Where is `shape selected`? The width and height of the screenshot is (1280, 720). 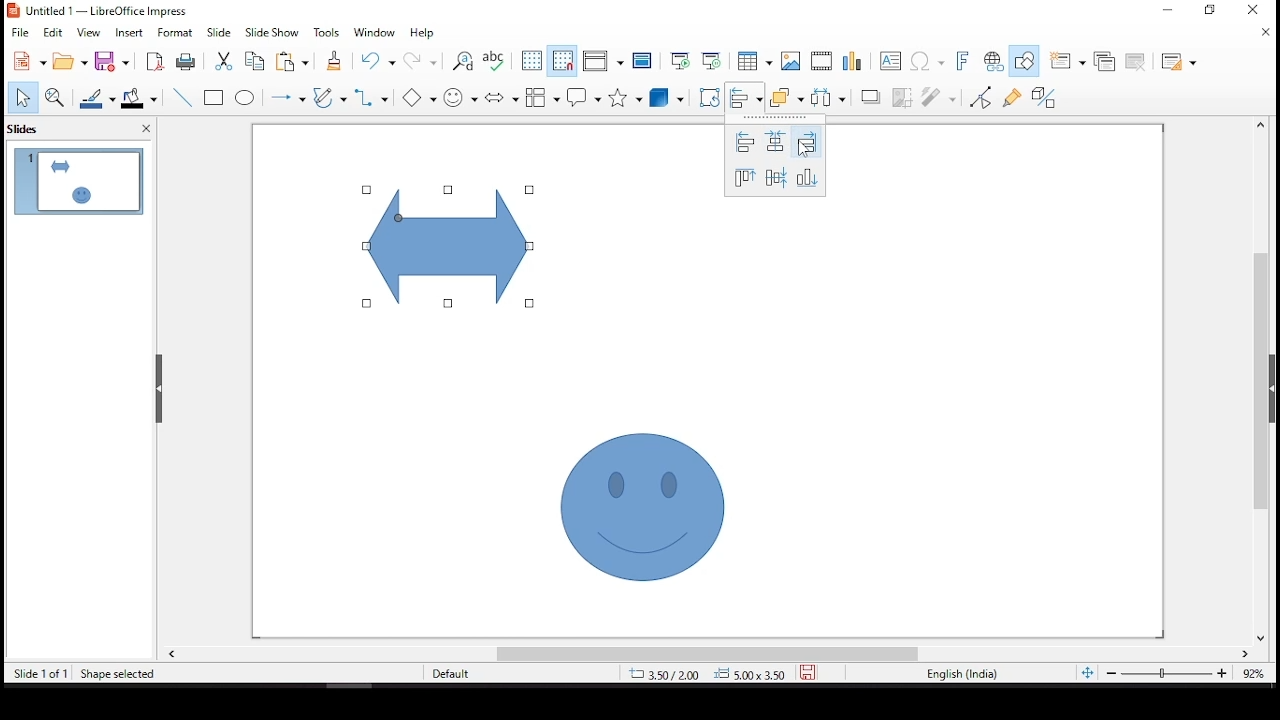 shape selected is located at coordinates (114, 674).